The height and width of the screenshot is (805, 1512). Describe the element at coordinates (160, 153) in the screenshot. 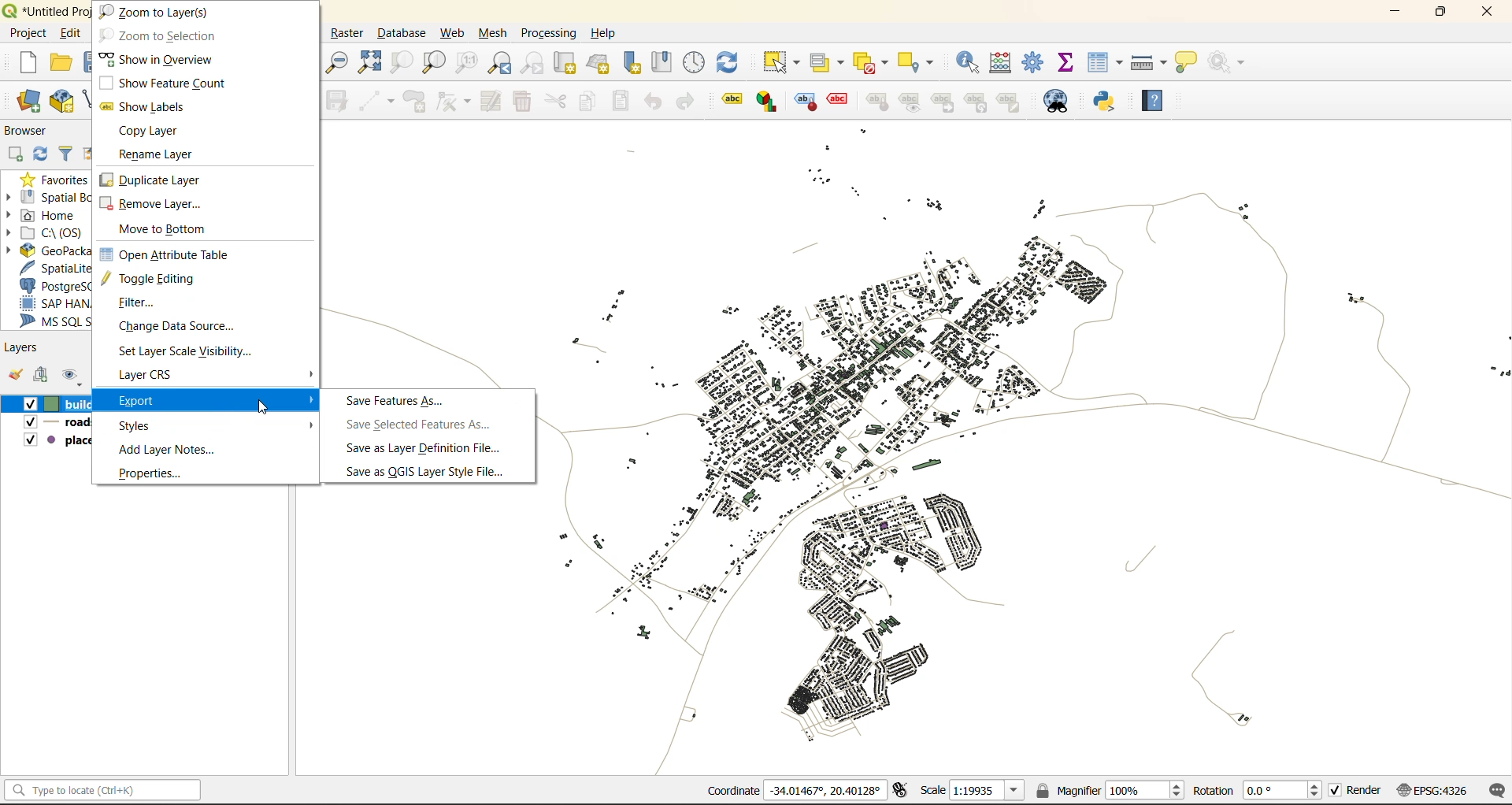

I see `rename layer` at that location.